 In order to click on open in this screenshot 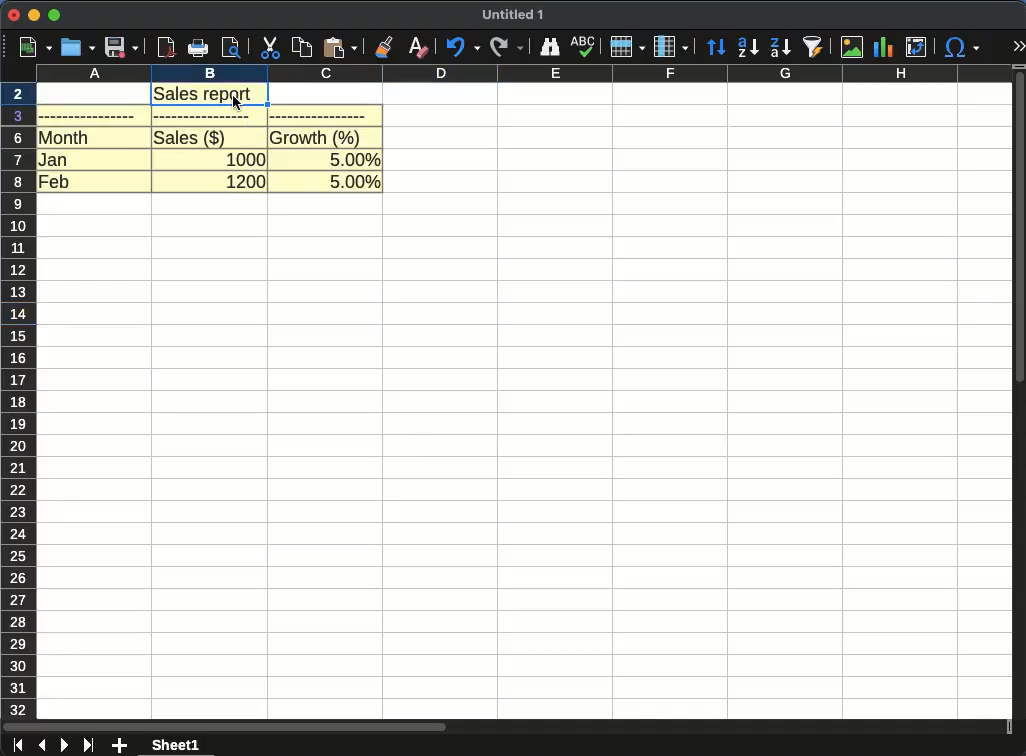, I will do `click(78, 48)`.